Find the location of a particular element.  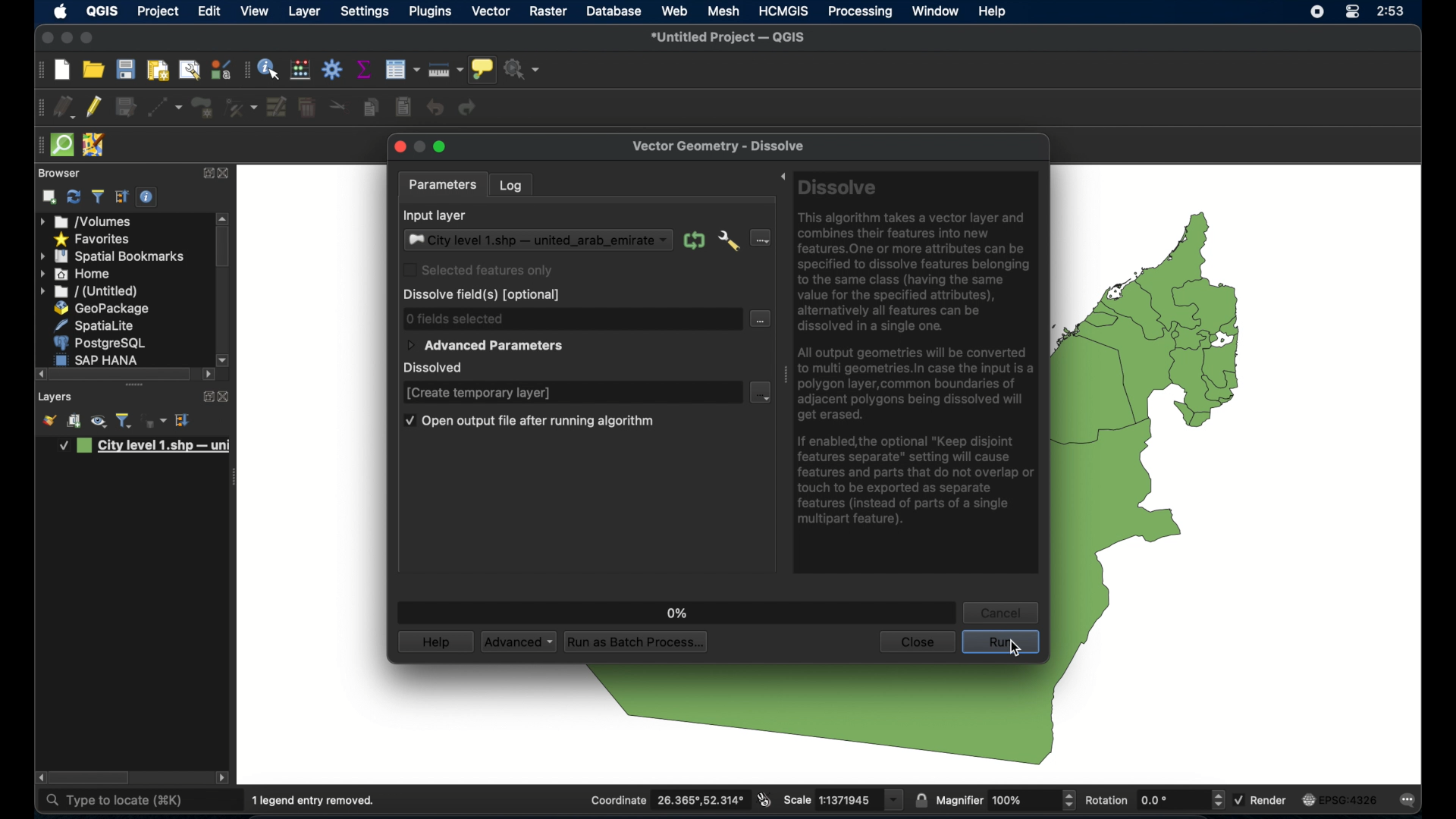

untitled folder is located at coordinates (91, 292).